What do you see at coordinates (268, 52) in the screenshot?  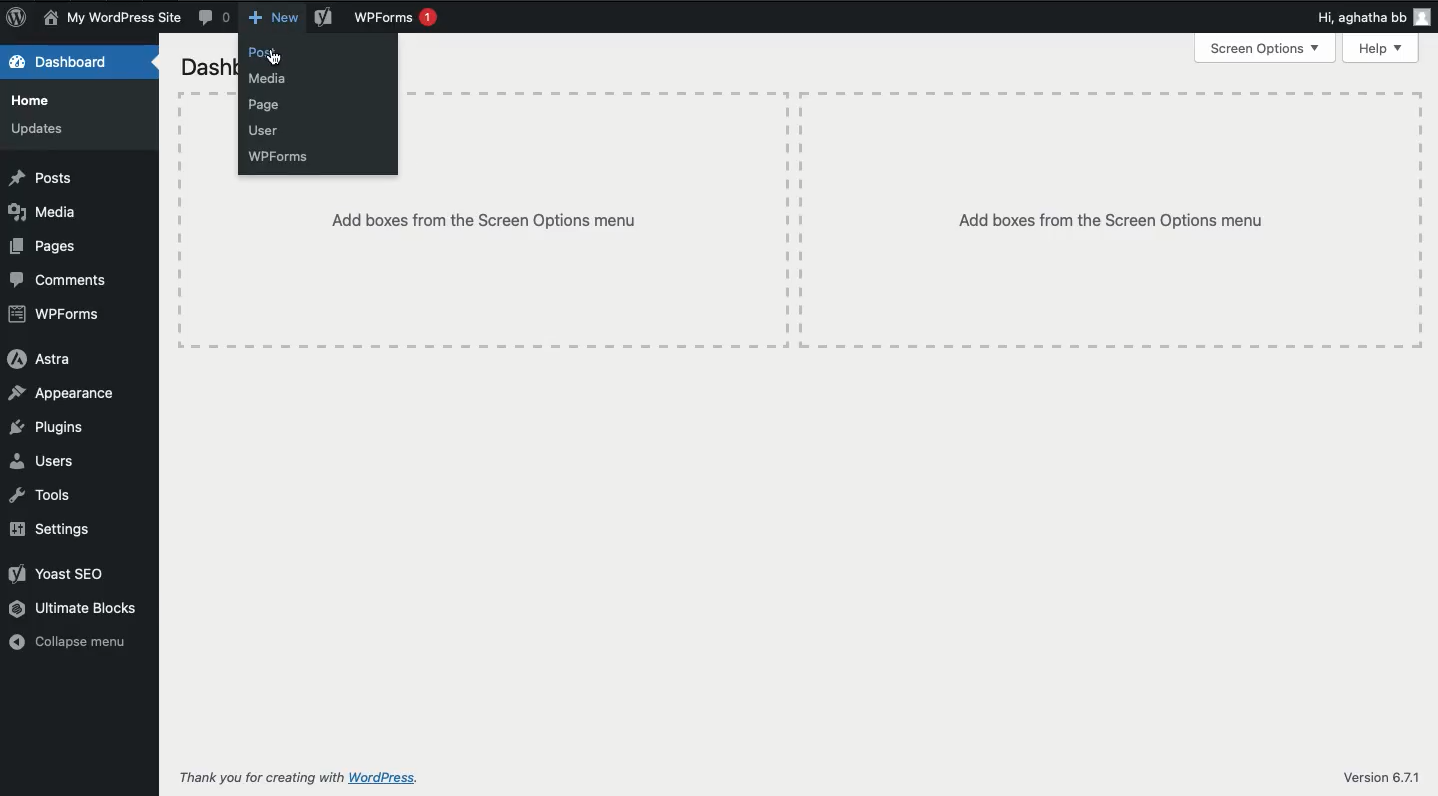 I see `Post` at bounding box center [268, 52].